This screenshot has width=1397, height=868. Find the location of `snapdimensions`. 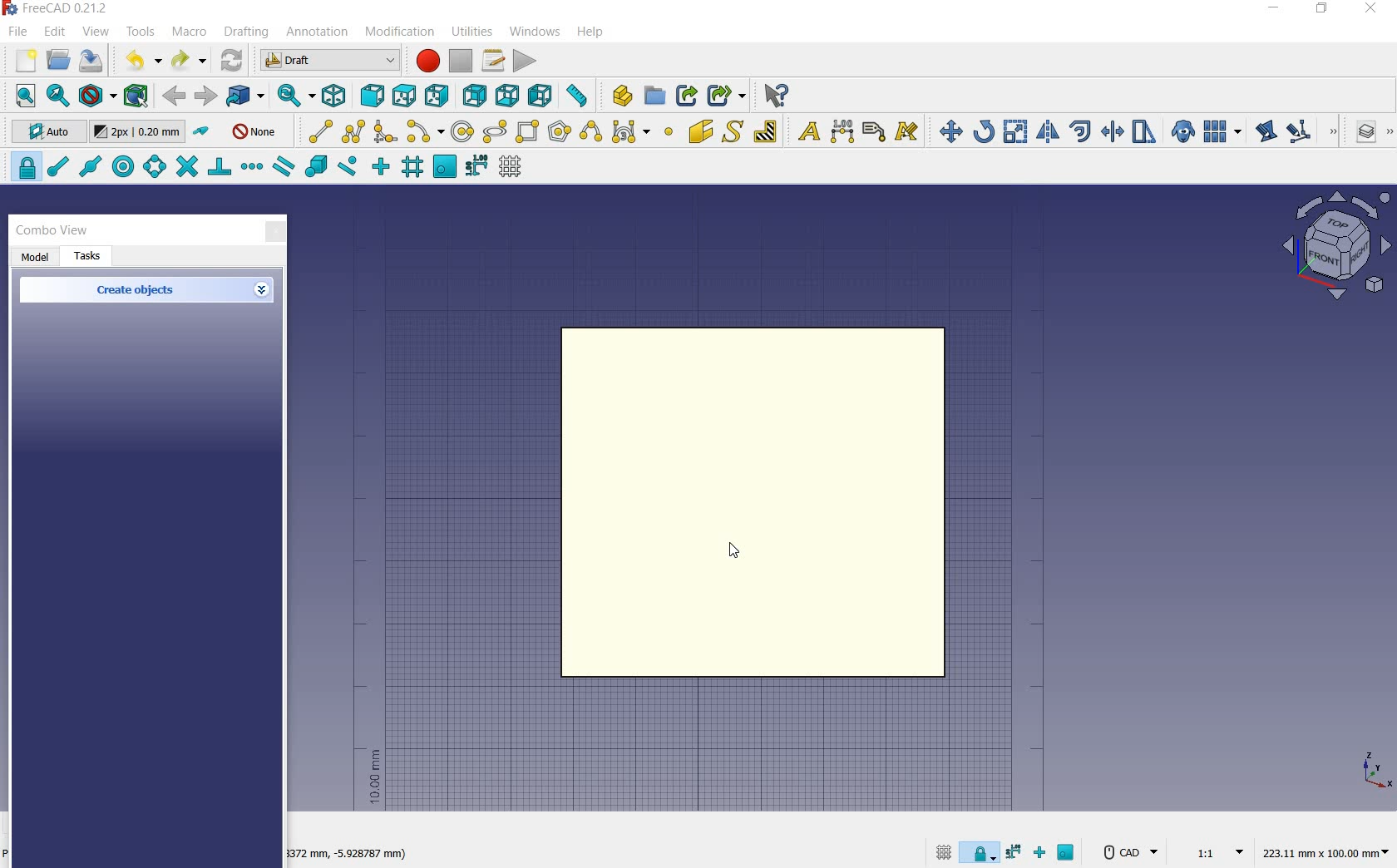

snapdimensions is located at coordinates (1016, 852).